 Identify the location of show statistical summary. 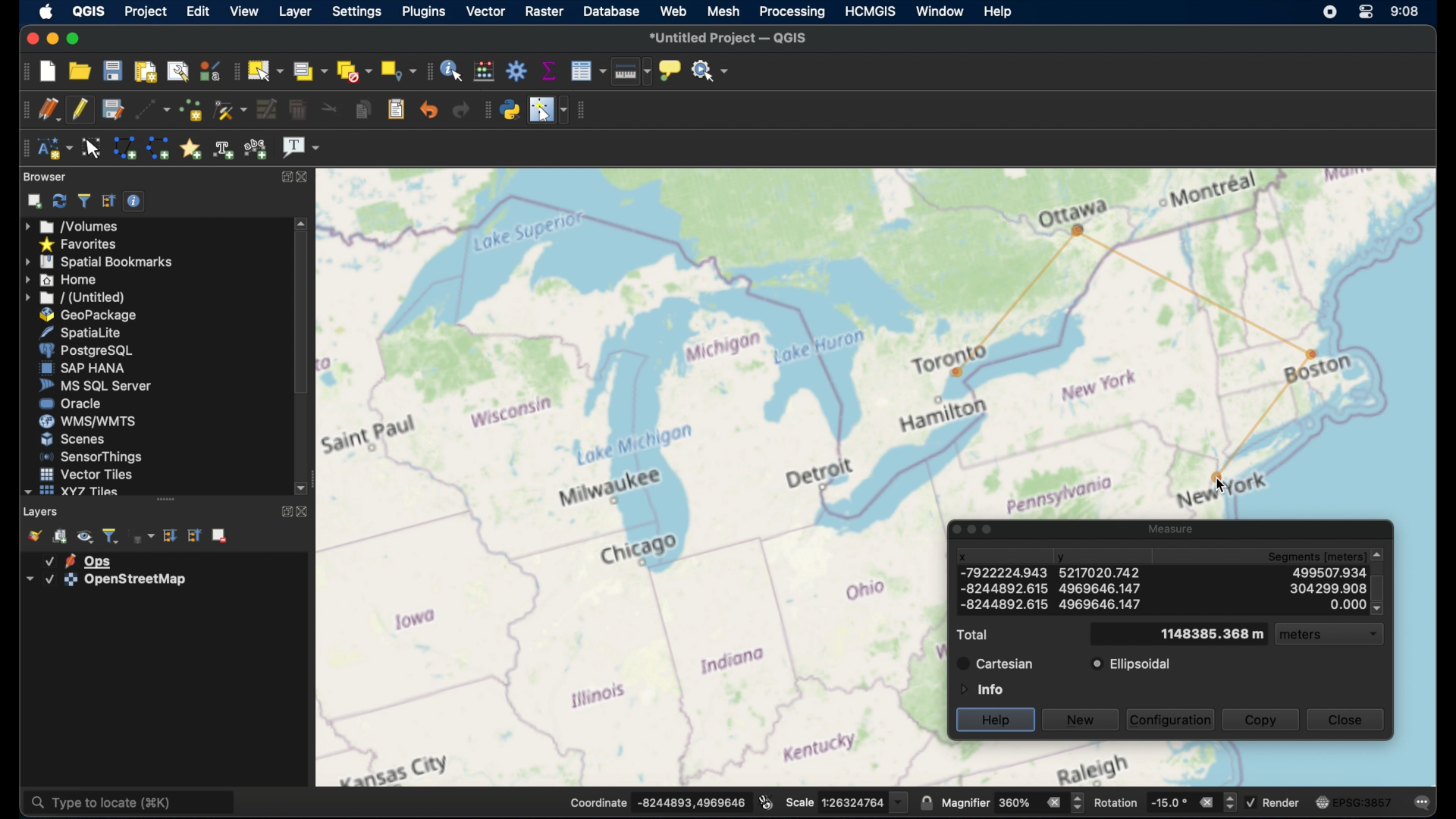
(549, 69).